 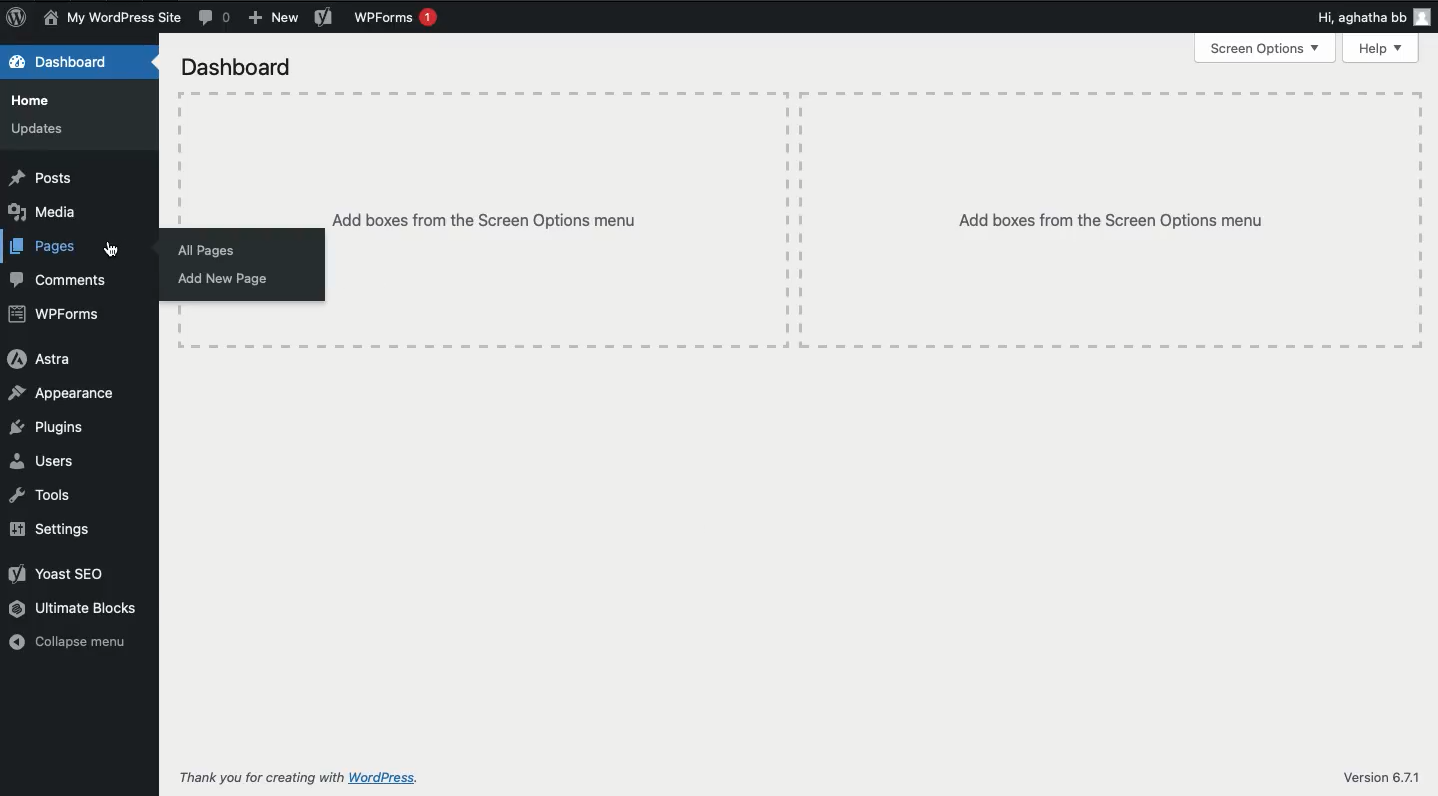 I want to click on Yoast, so click(x=322, y=18).